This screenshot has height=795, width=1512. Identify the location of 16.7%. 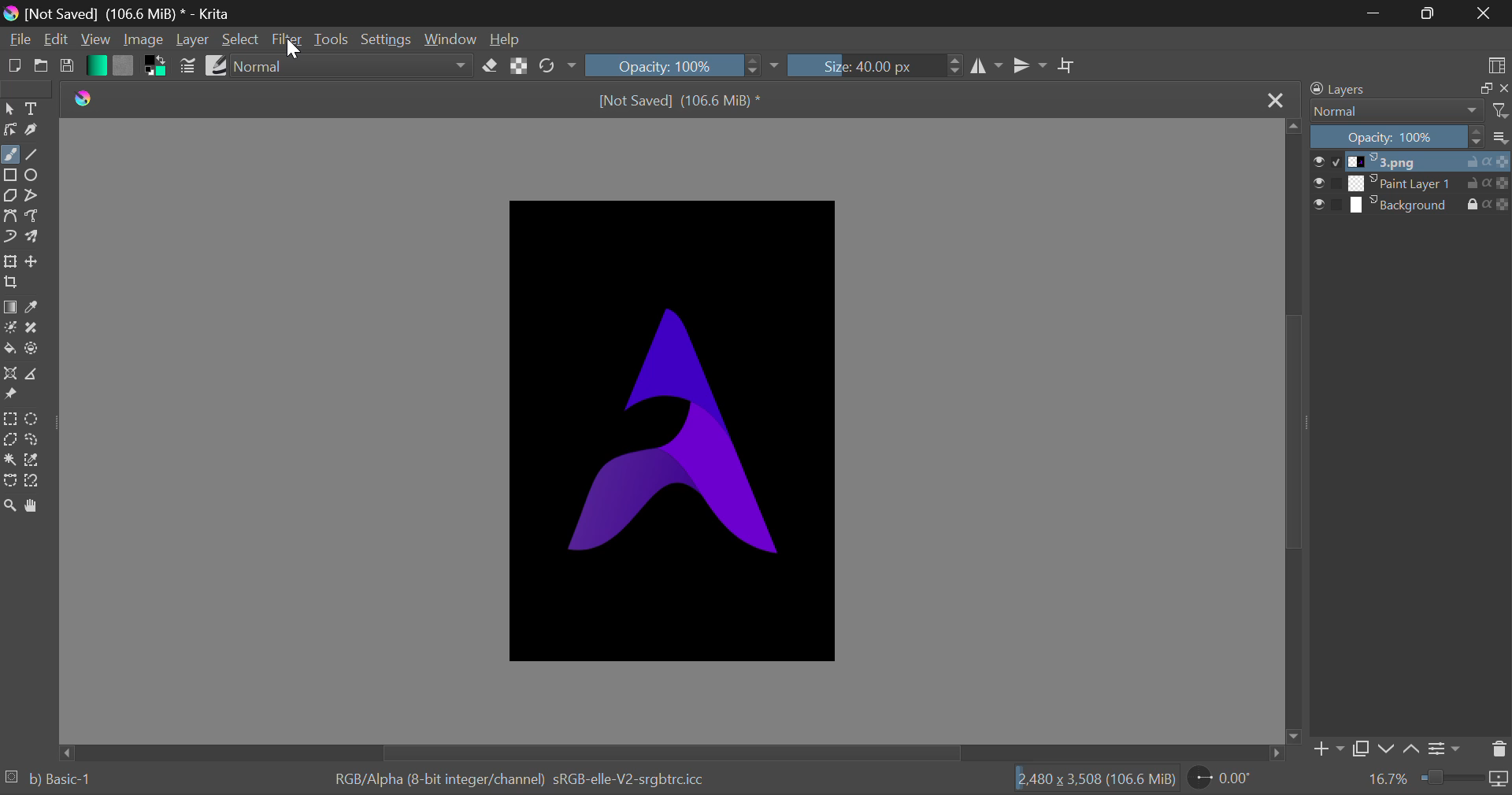
(1379, 780).